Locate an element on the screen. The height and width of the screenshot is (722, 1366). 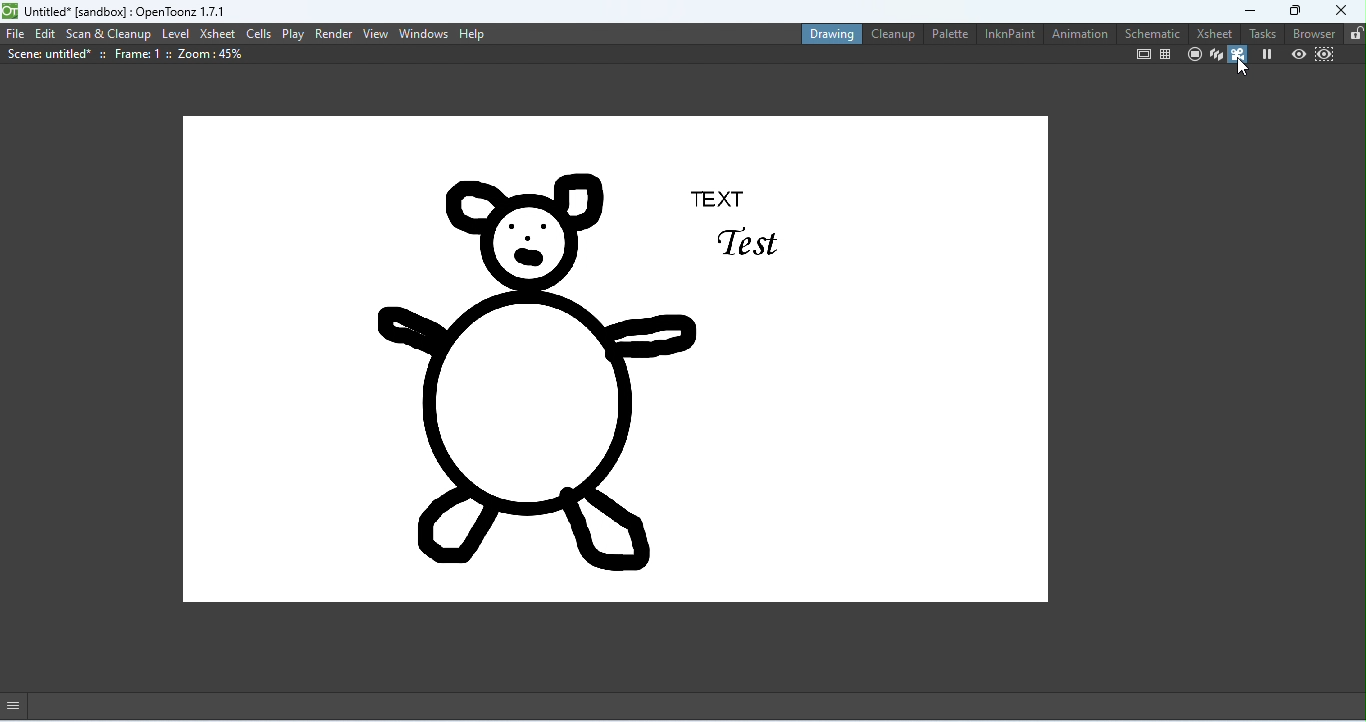
freeze is located at coordinates (1267, 55).